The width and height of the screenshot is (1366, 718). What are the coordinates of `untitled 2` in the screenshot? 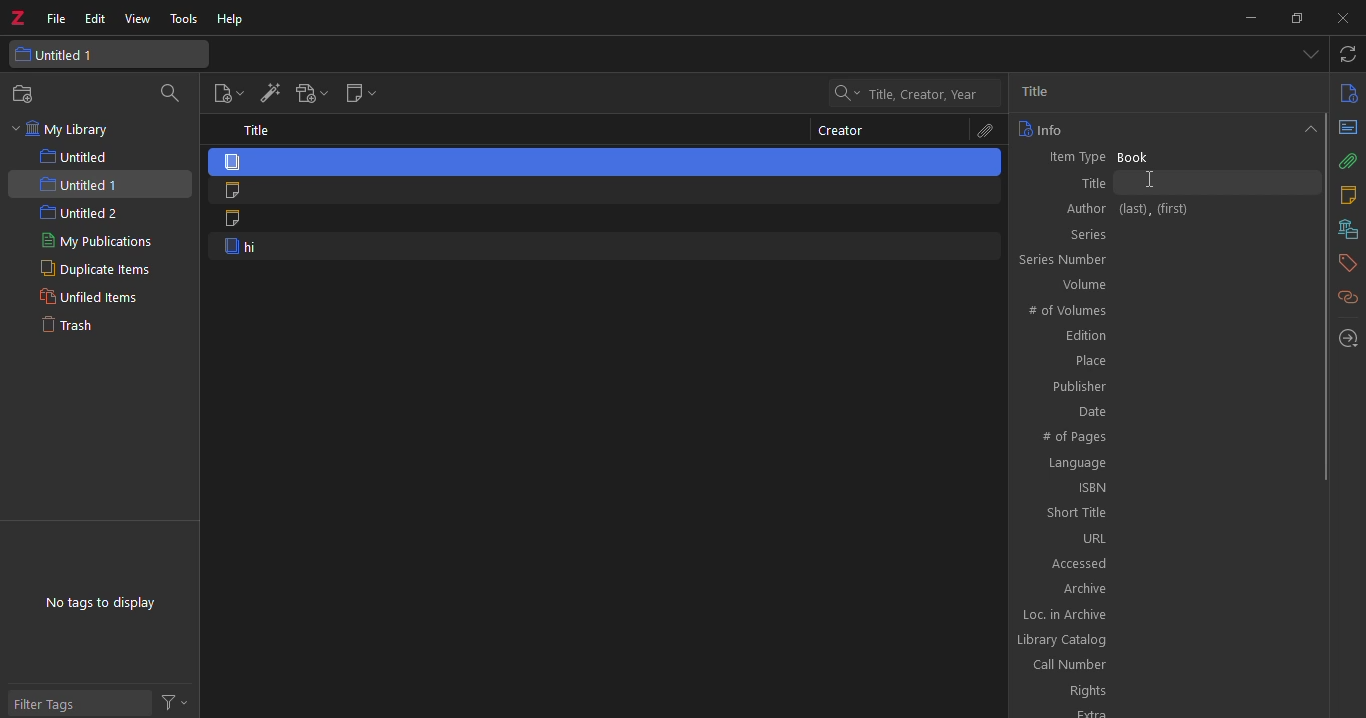 It's located at (79, 214).